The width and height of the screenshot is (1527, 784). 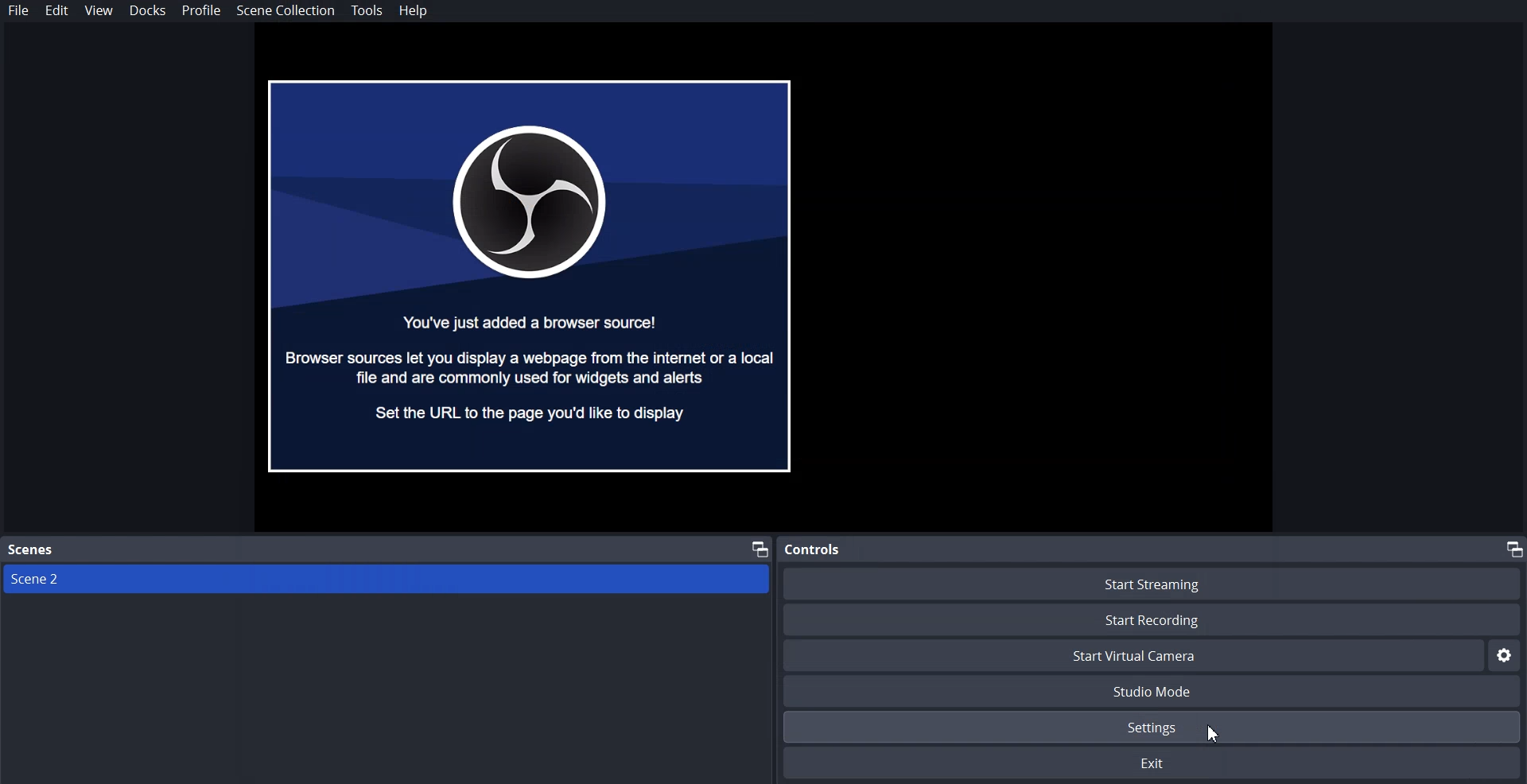 What do you see at coordinates (31, 550) in the screenshot?
I see `Text` at bounding box center [31, 550].